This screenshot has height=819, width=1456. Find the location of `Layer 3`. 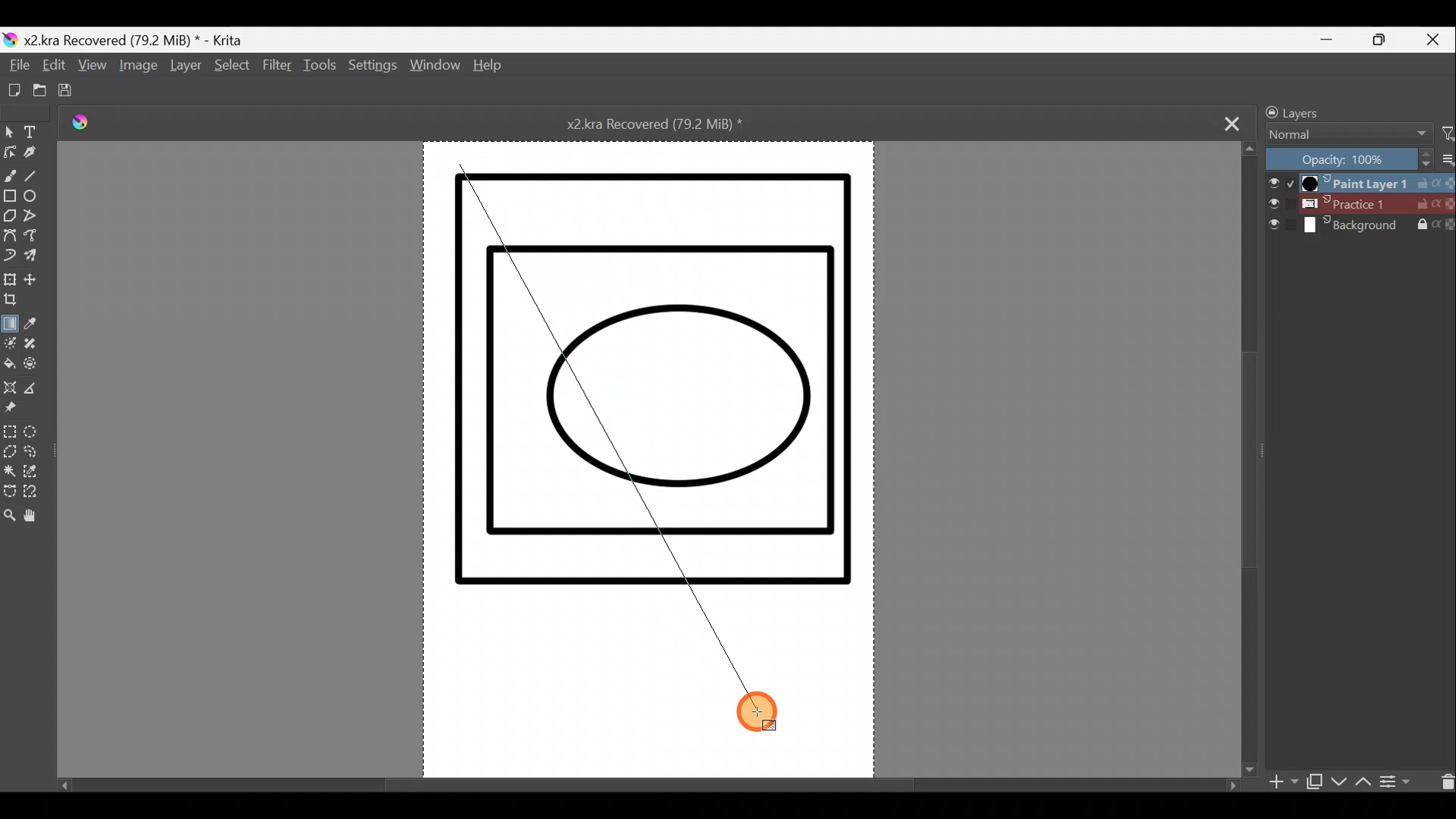

Layer 3 is located at coordinates (1360, 227).